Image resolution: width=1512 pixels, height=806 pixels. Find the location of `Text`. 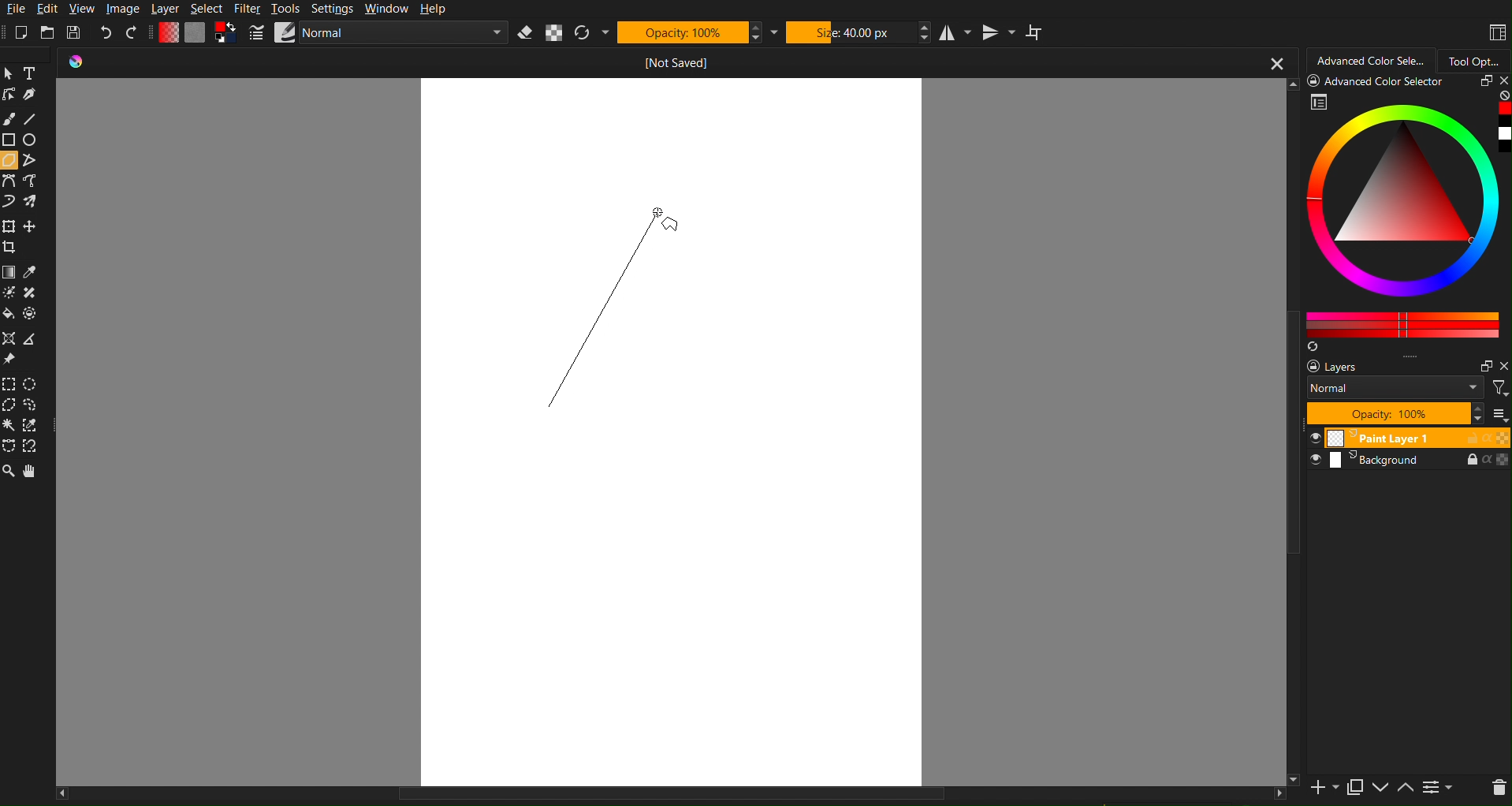

Text is located at coordinates (32, 73).